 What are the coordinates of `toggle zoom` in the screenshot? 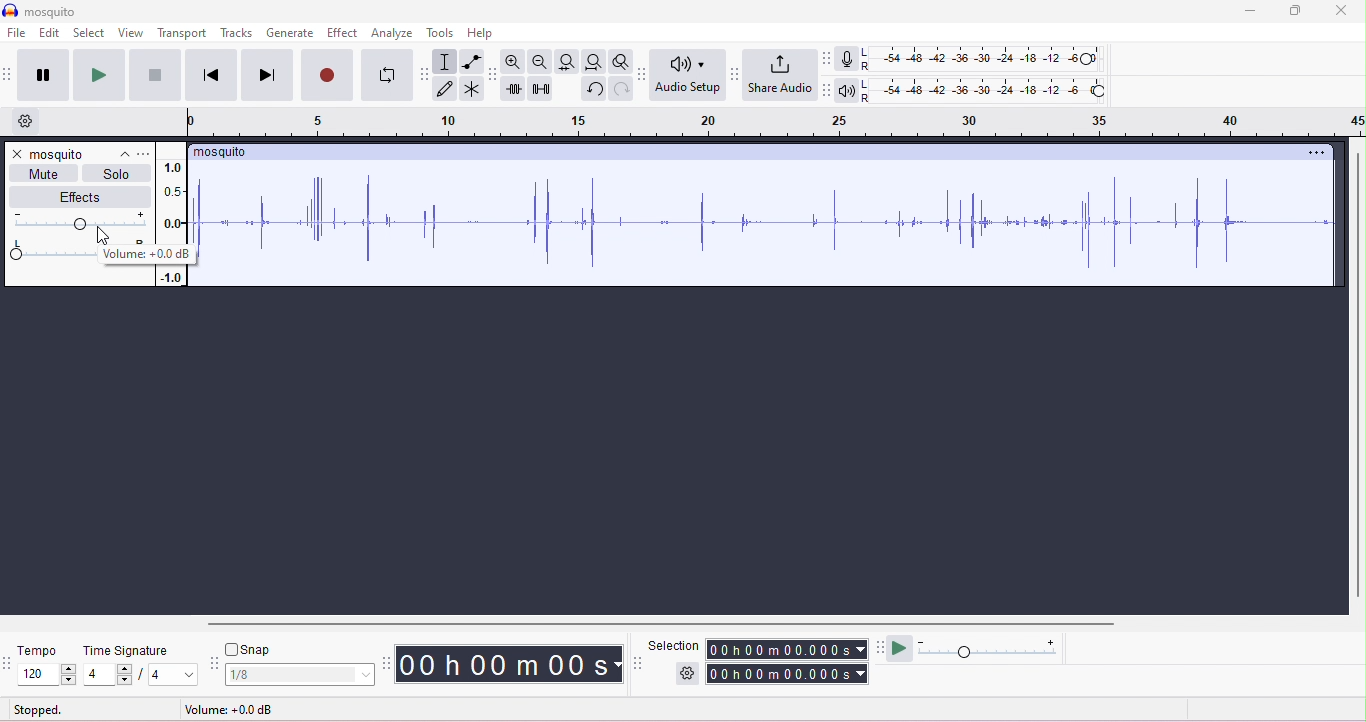 It's located at (622, 63).